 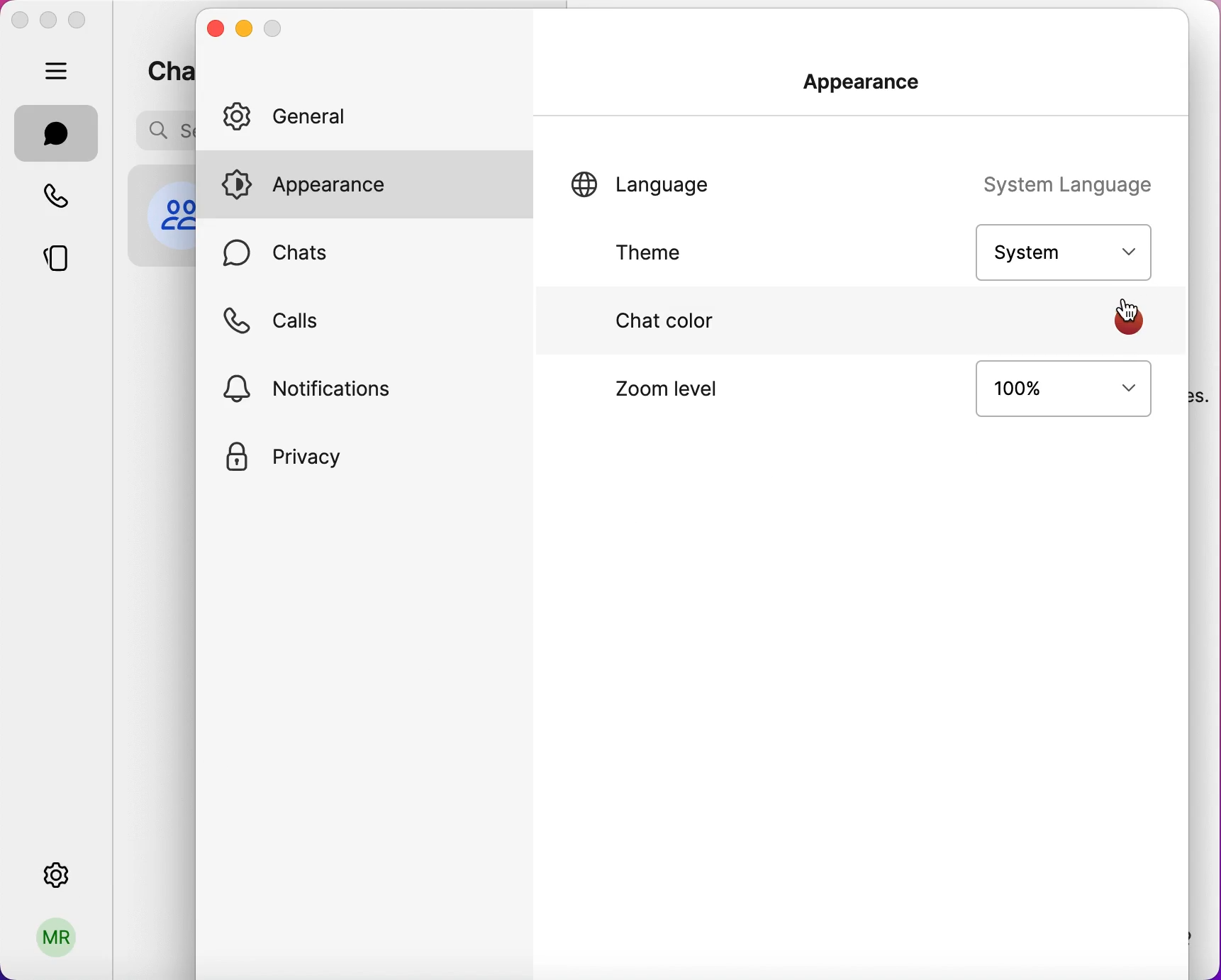 What do you see at coordinates (57, 133) in the screenshot?
I see `chats` at bounding box center [57, 133].